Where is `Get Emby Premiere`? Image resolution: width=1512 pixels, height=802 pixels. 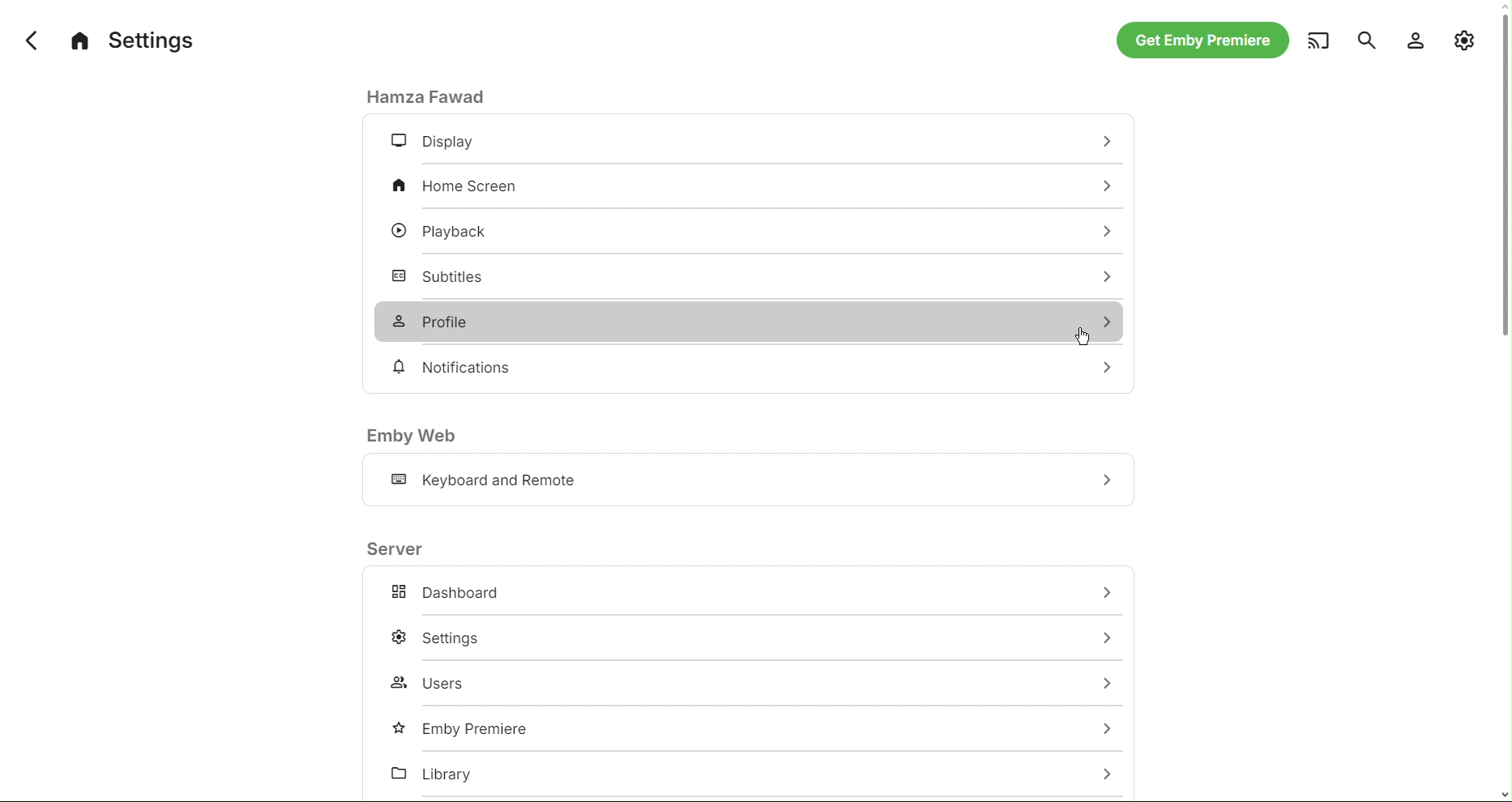 Get Emby Premiere is located at coordinates (1201, 42).